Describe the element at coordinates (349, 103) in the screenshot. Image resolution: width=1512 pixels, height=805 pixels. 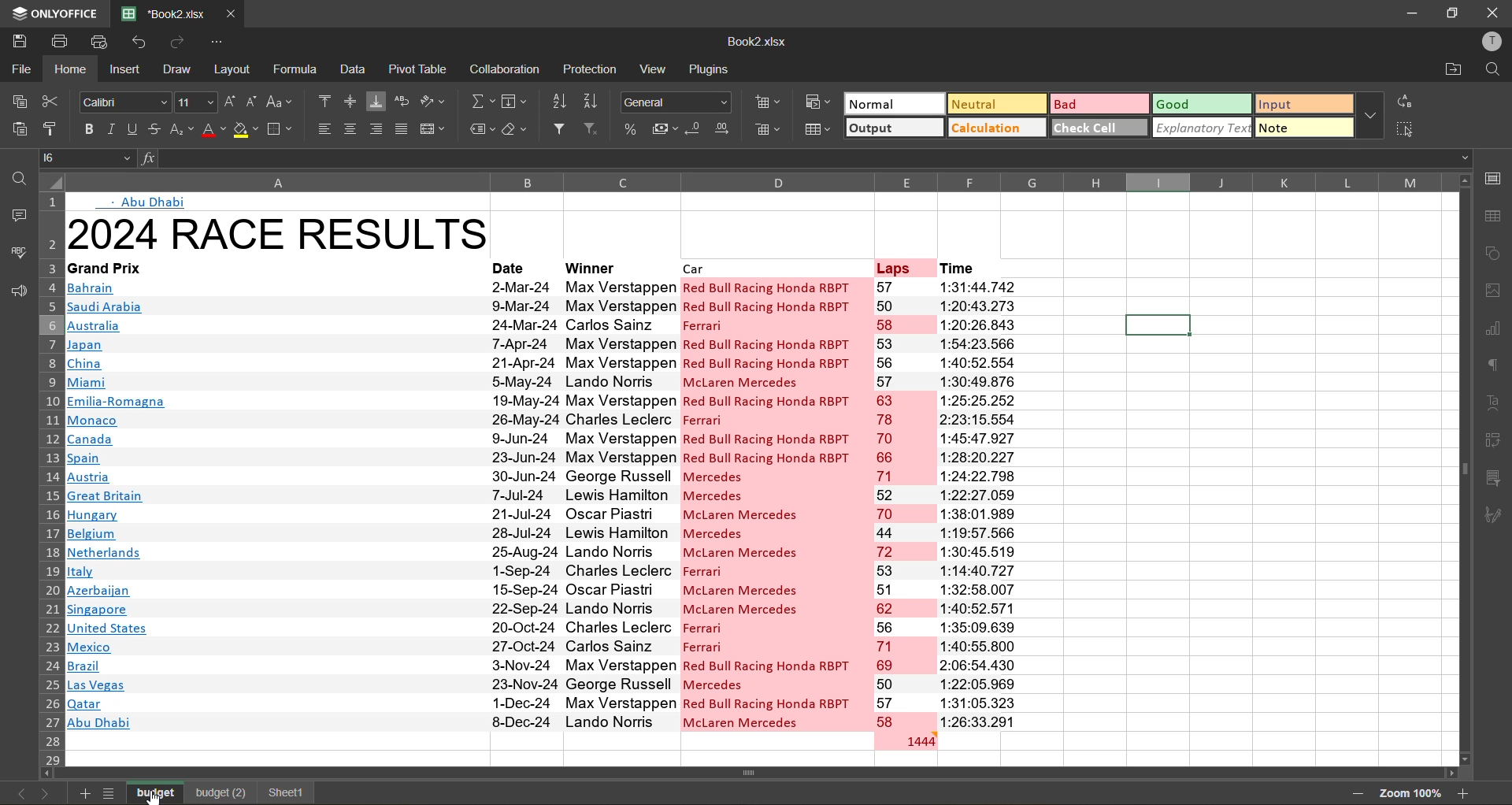
I see `align middle` at that location.